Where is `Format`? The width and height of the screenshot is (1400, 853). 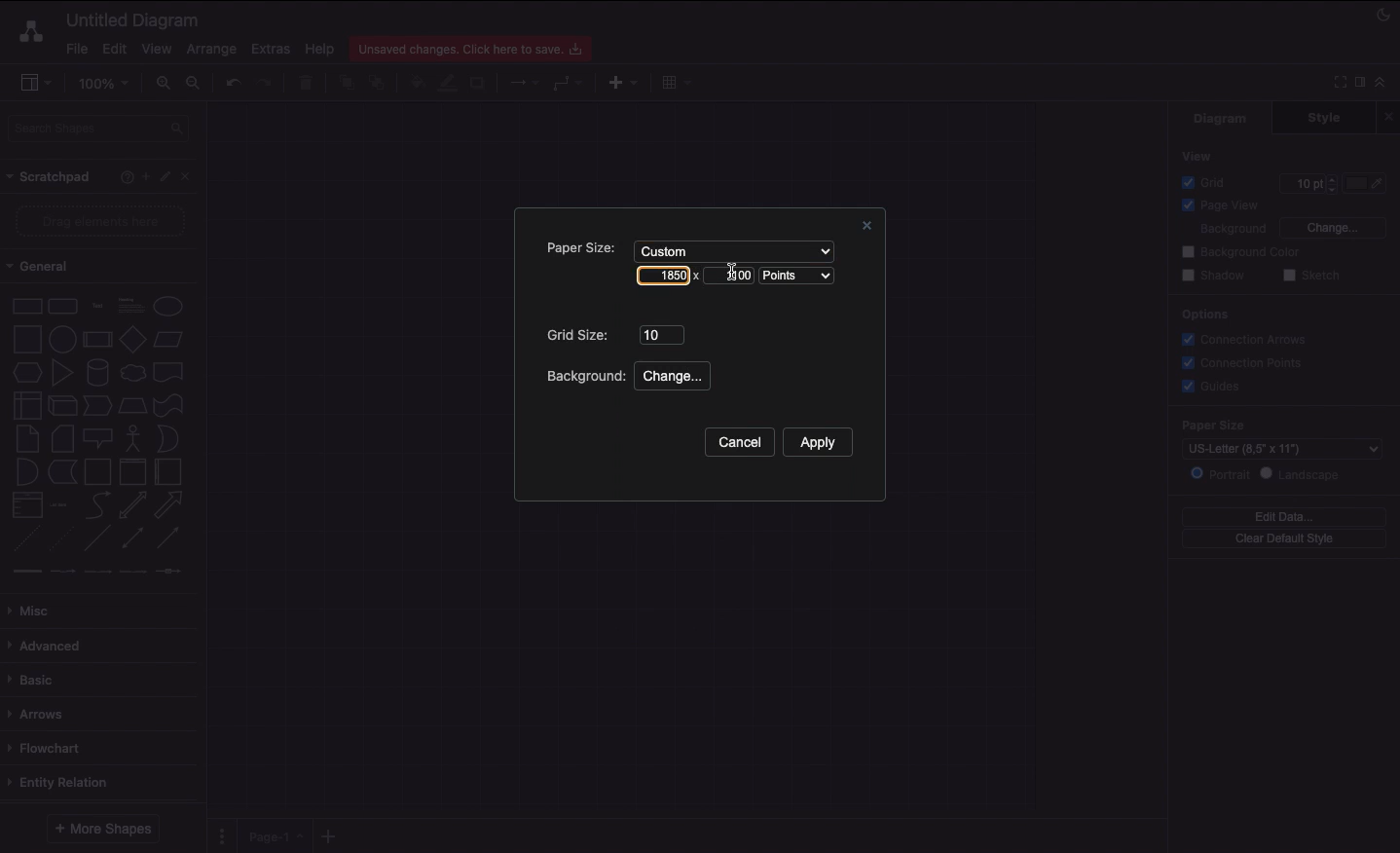 Format is located at coordinates (1361, 85).